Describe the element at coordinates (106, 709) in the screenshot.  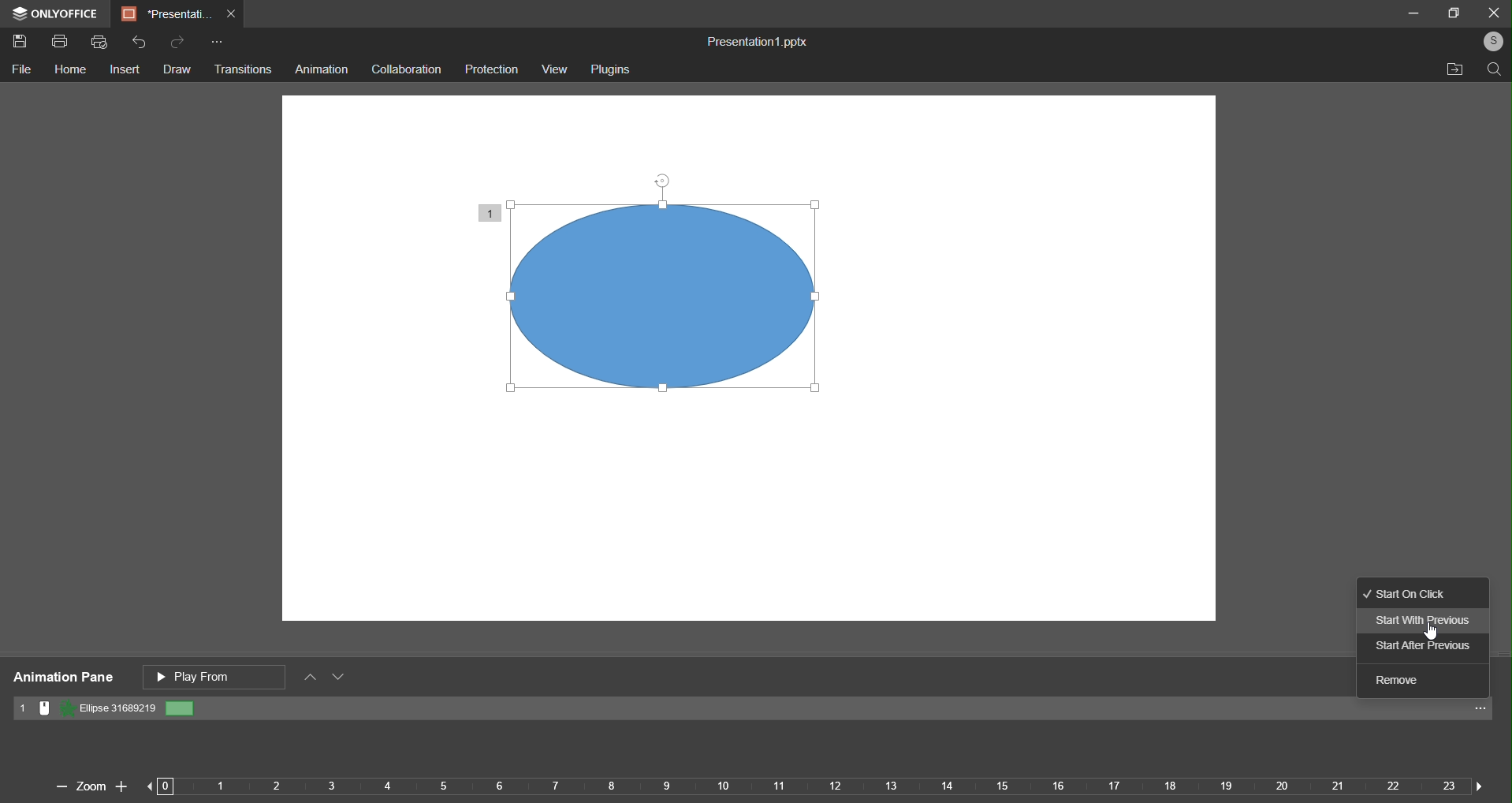
I see `Animation name` at that location.